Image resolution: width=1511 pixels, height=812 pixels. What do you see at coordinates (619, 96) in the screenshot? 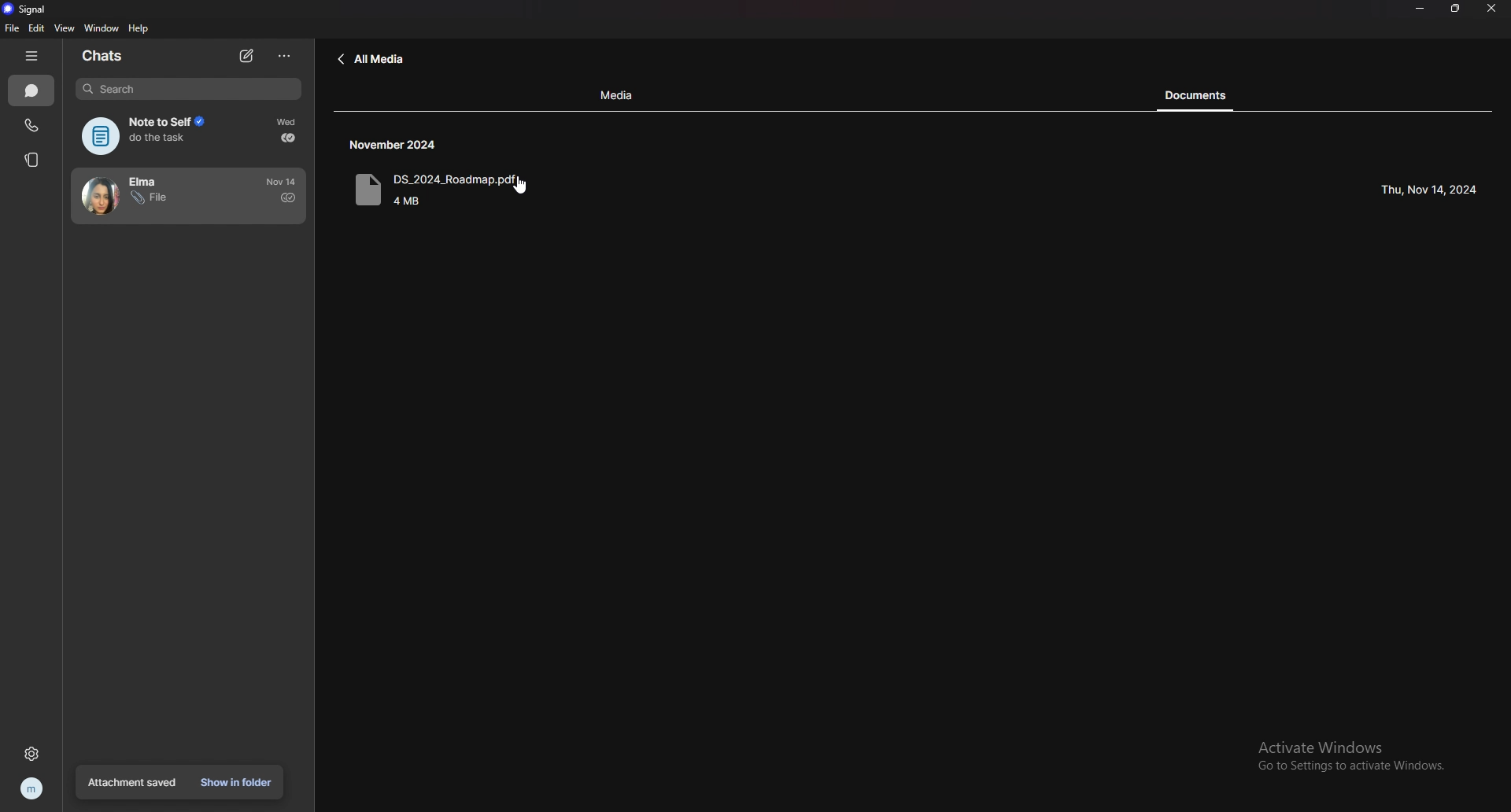
I see `media` at bounding box center [619, 96].